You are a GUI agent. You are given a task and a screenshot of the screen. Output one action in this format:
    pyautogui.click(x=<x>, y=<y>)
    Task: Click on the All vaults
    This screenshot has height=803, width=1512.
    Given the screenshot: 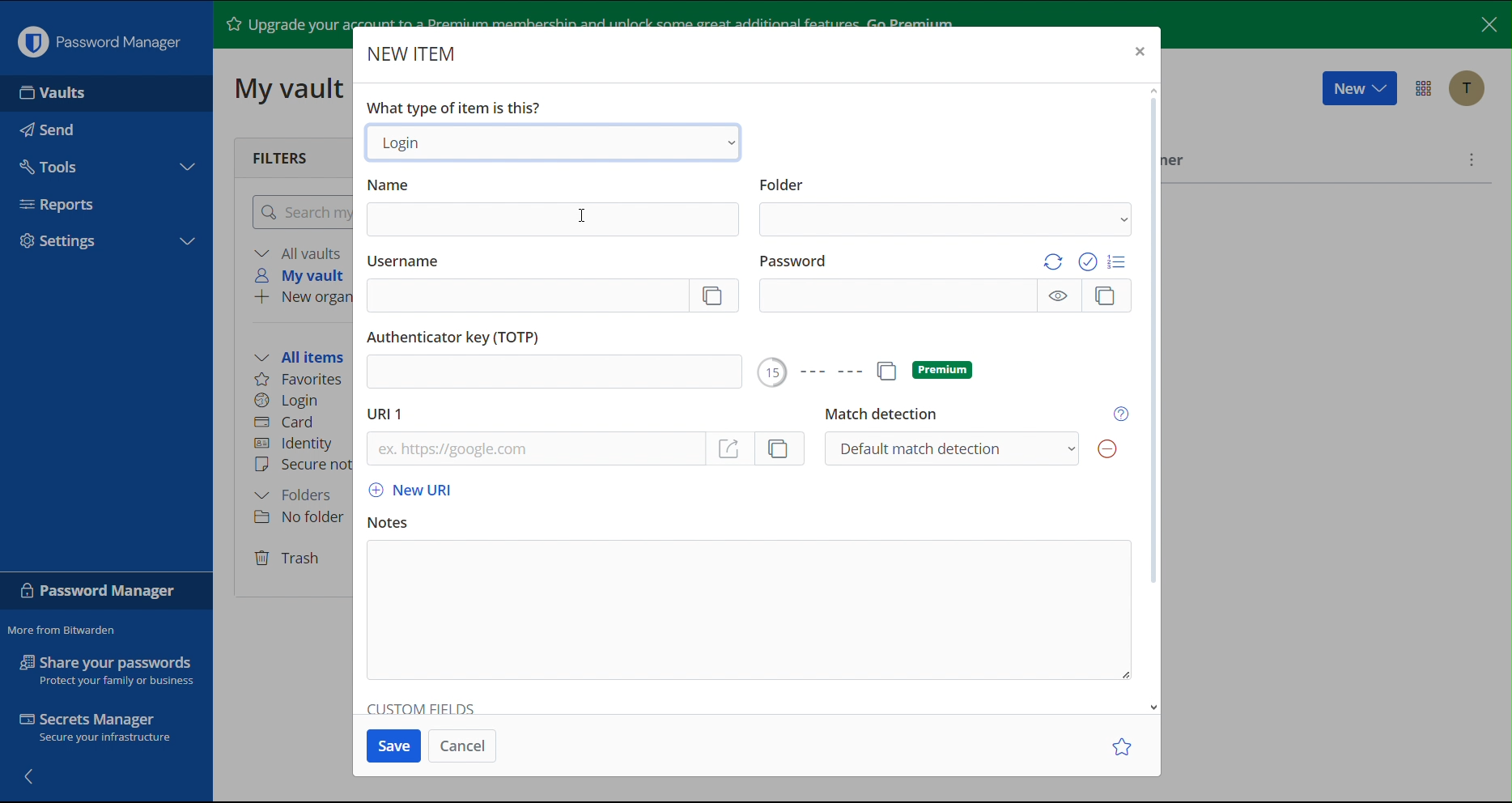 What is the action you would take?
    pyautogui.click(x=301, y=253)
    